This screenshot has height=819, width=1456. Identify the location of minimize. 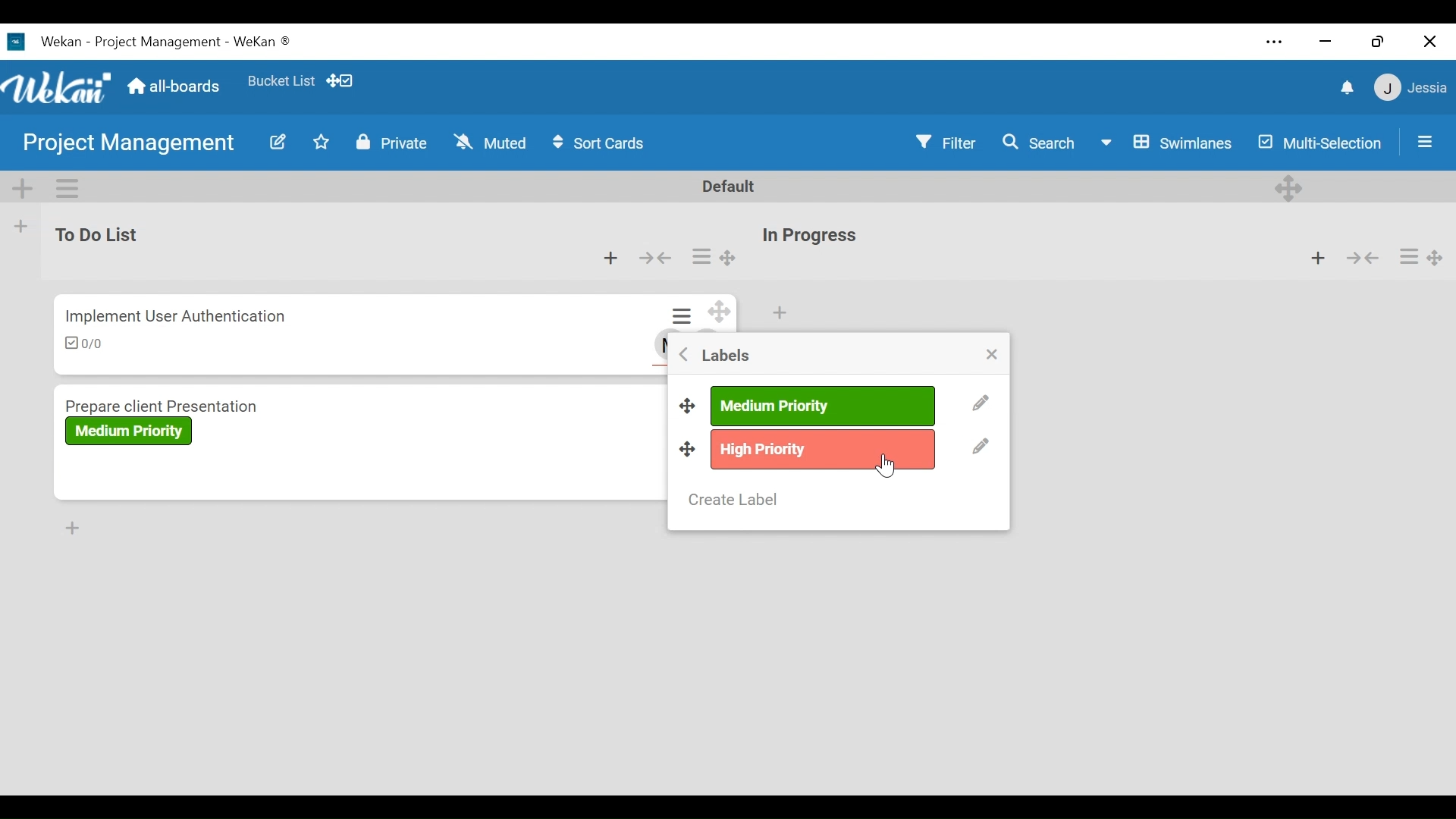
(1325, 42).